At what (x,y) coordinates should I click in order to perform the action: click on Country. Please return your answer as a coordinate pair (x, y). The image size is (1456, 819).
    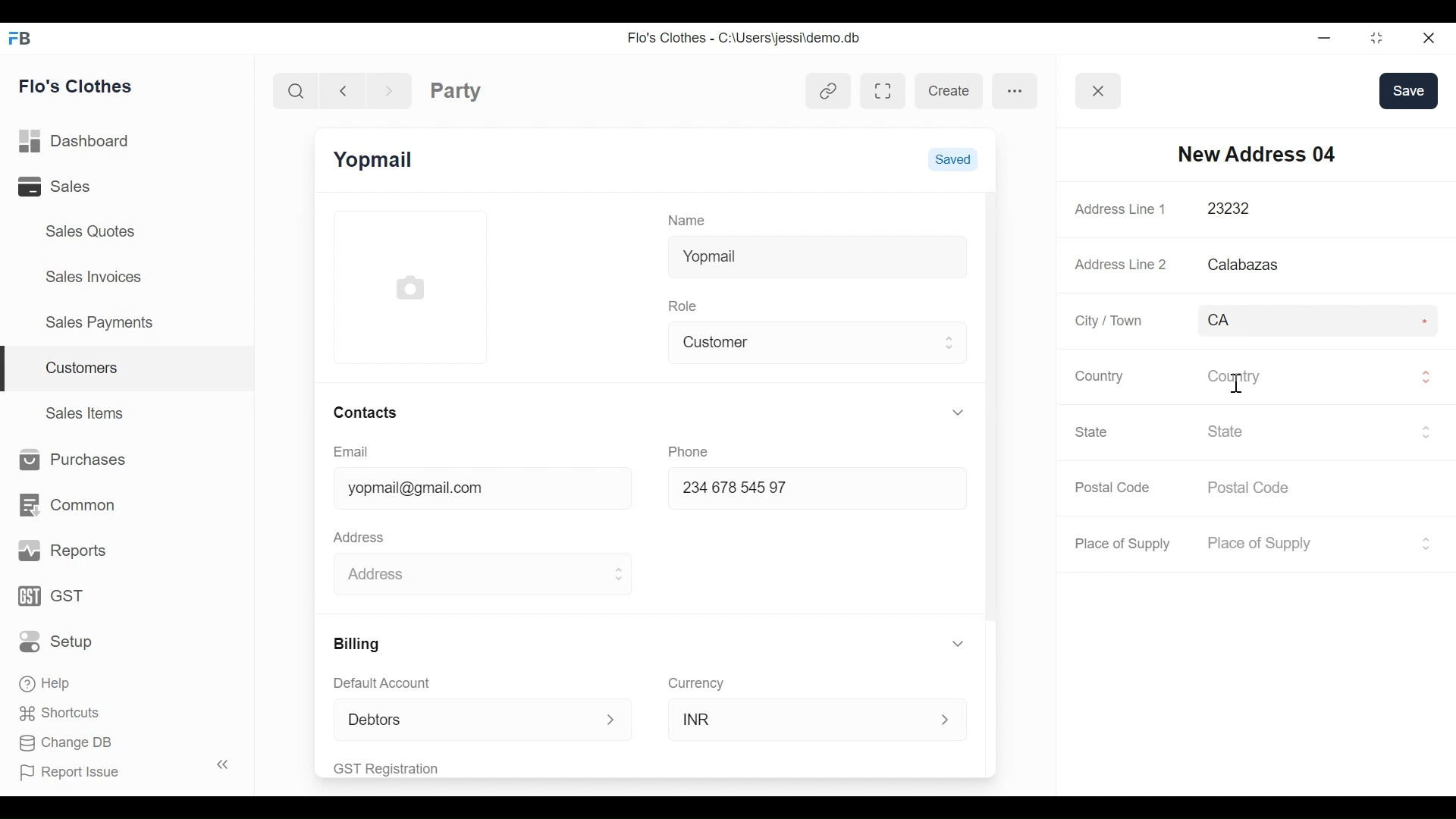
    Looking at the image, I should click on (1307, 375).